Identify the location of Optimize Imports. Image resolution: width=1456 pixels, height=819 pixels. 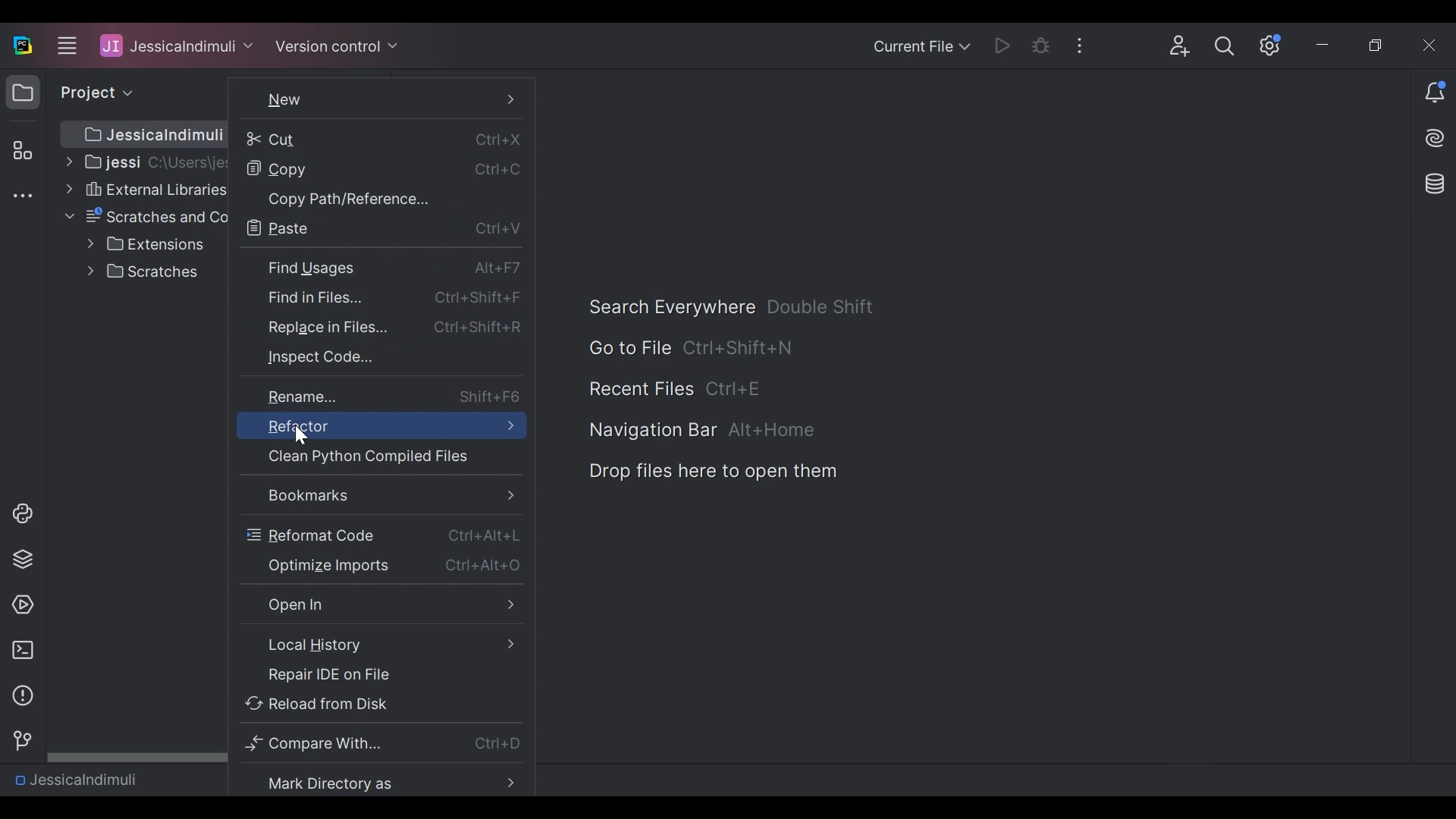
(381, 565).